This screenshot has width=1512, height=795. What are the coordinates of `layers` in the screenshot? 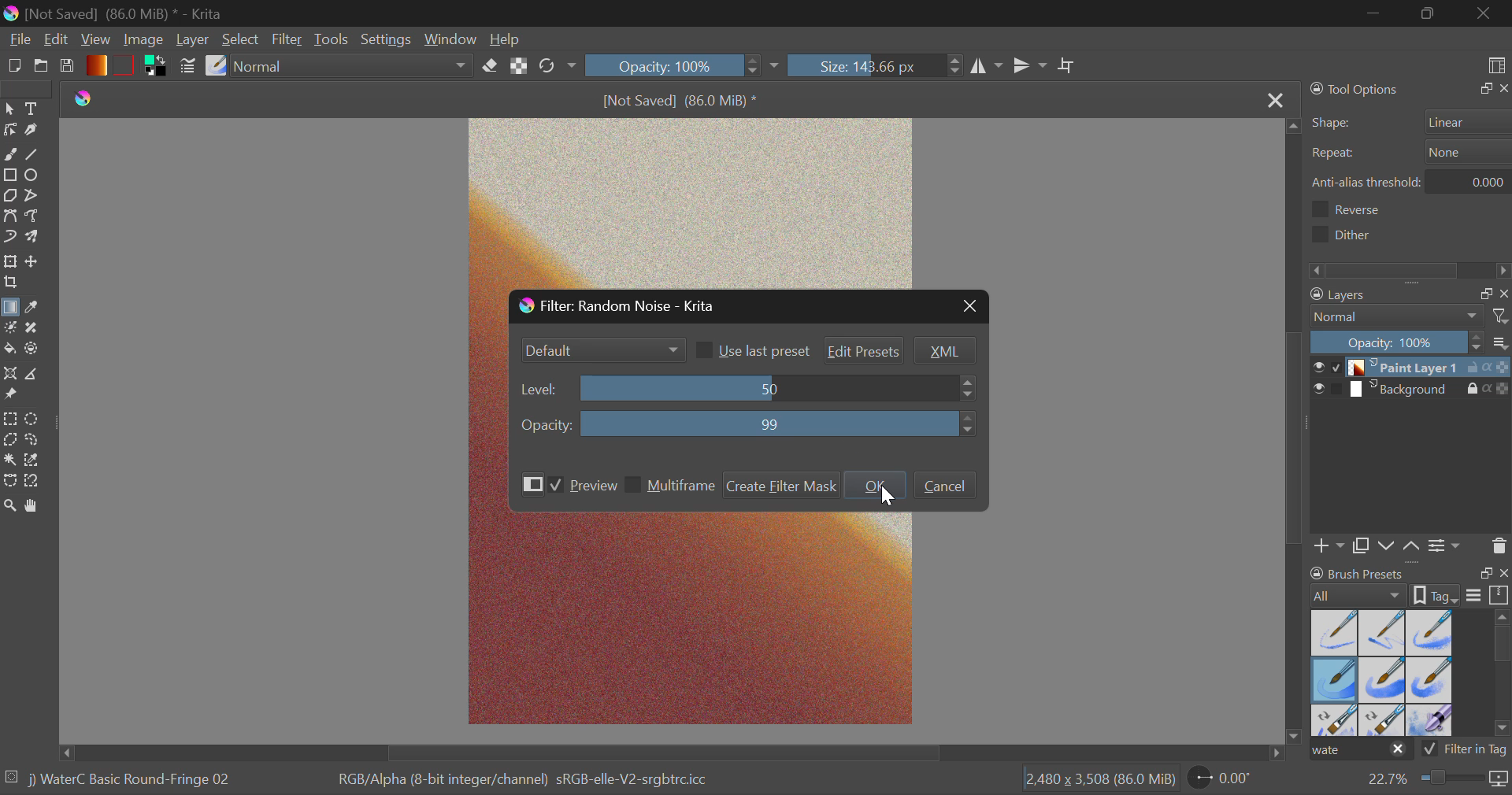 It's located at (1382, 296).